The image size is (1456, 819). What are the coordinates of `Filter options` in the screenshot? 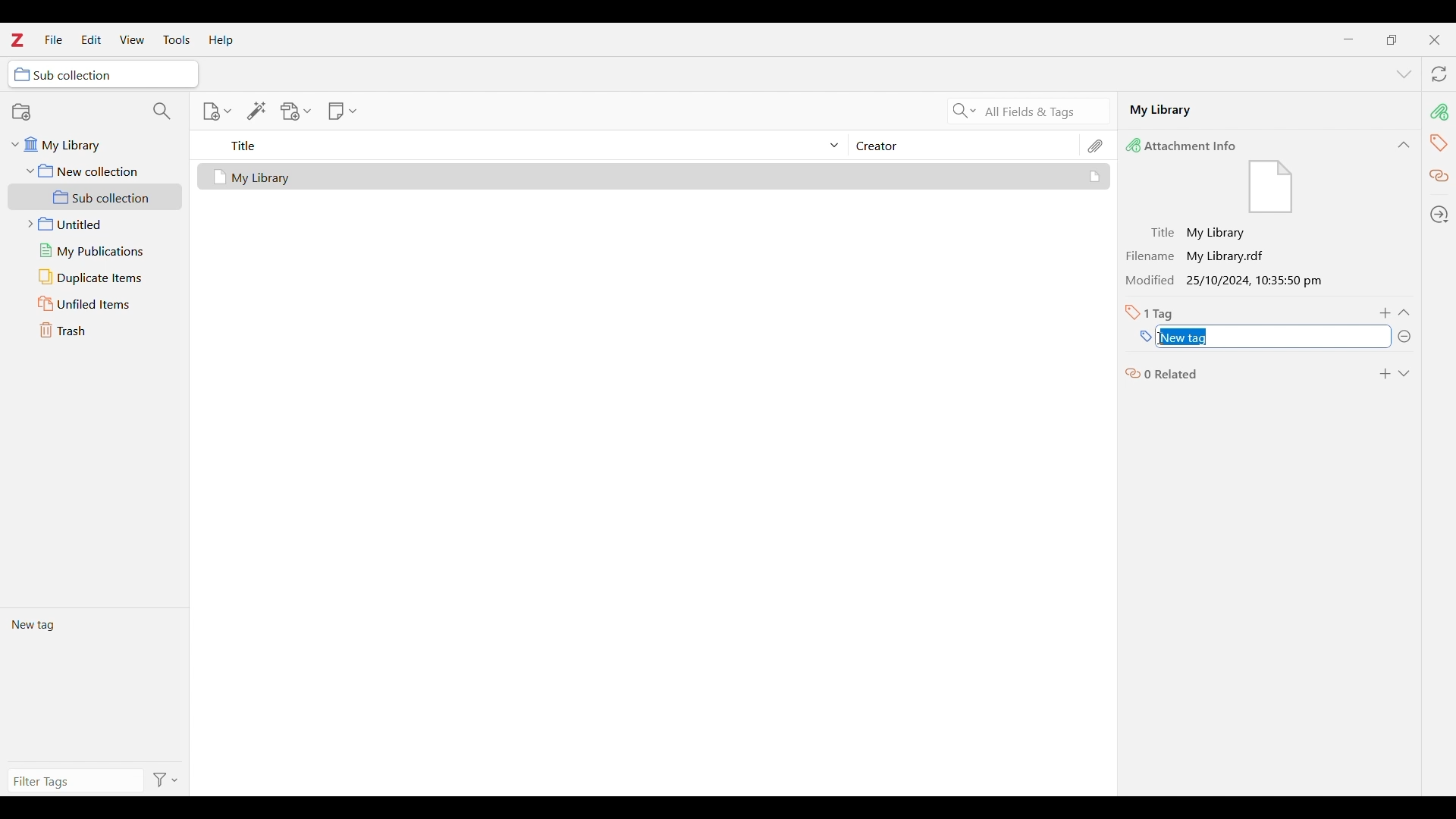 It's located at (166, 781).